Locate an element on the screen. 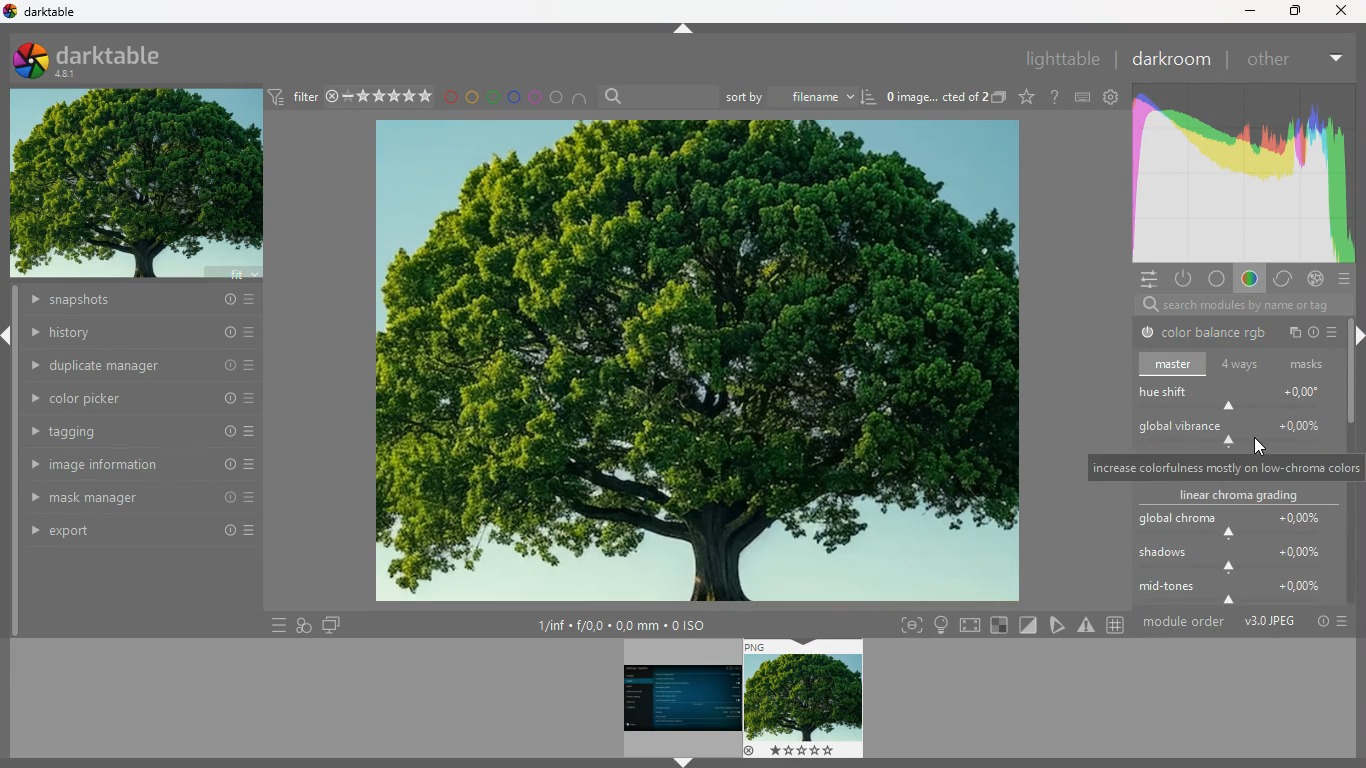 The width and height of the screenshot is (1366, 768). info is located at coordinates (1316, 335).